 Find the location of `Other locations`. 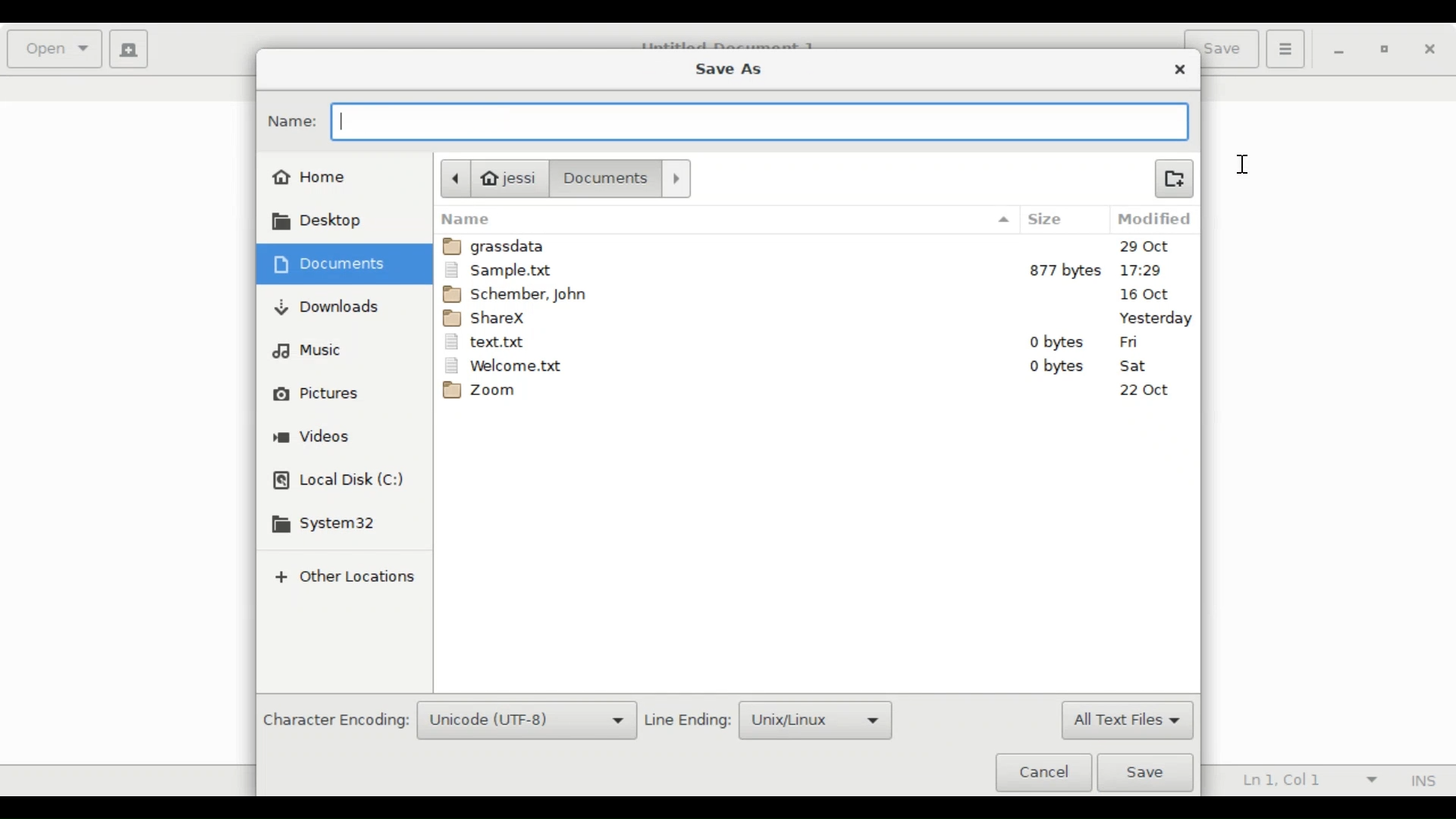

Other locations is located at coordinates (343, 579).